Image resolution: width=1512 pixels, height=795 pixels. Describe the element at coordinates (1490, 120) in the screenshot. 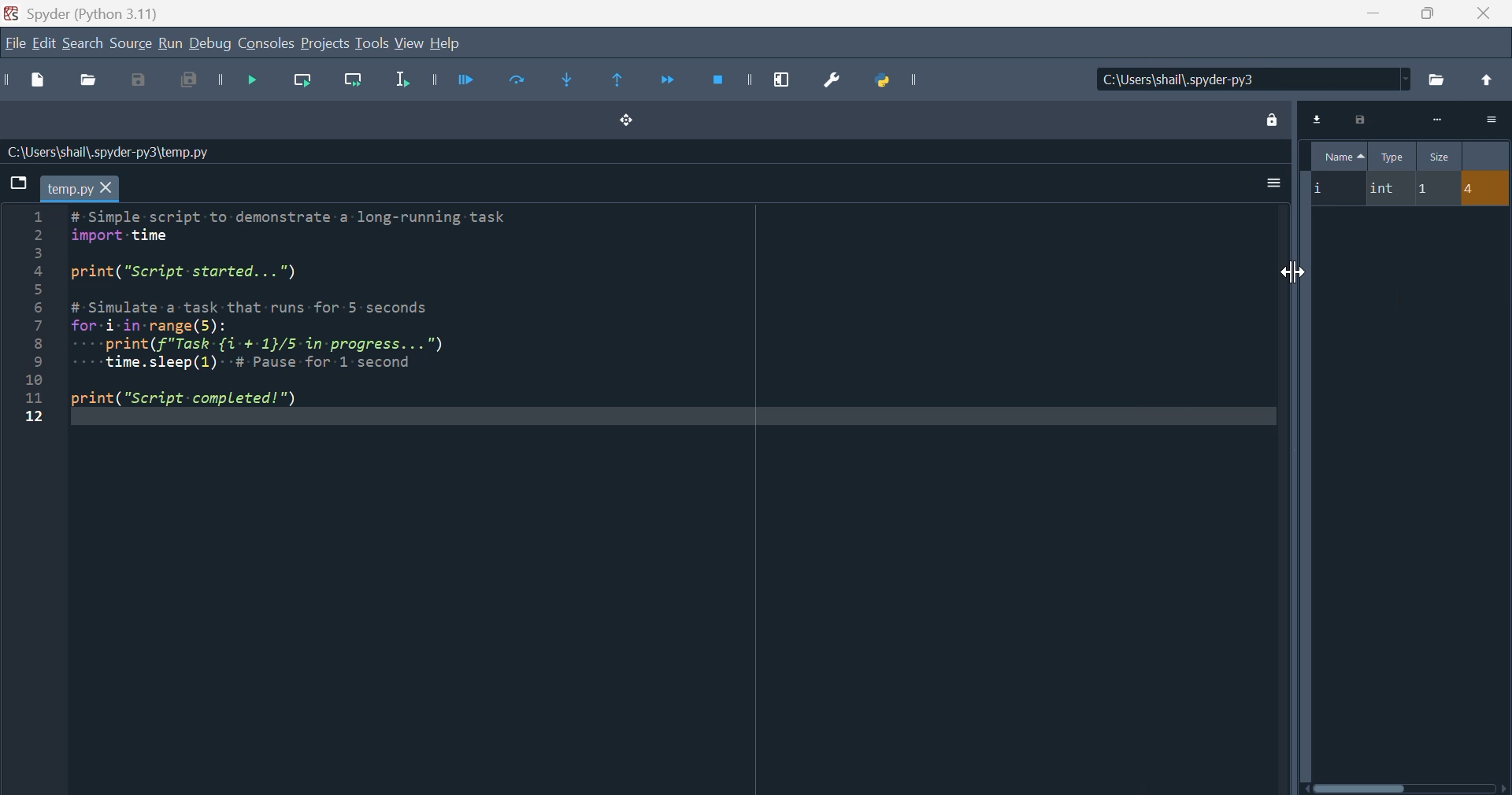

I see `options` at that location.